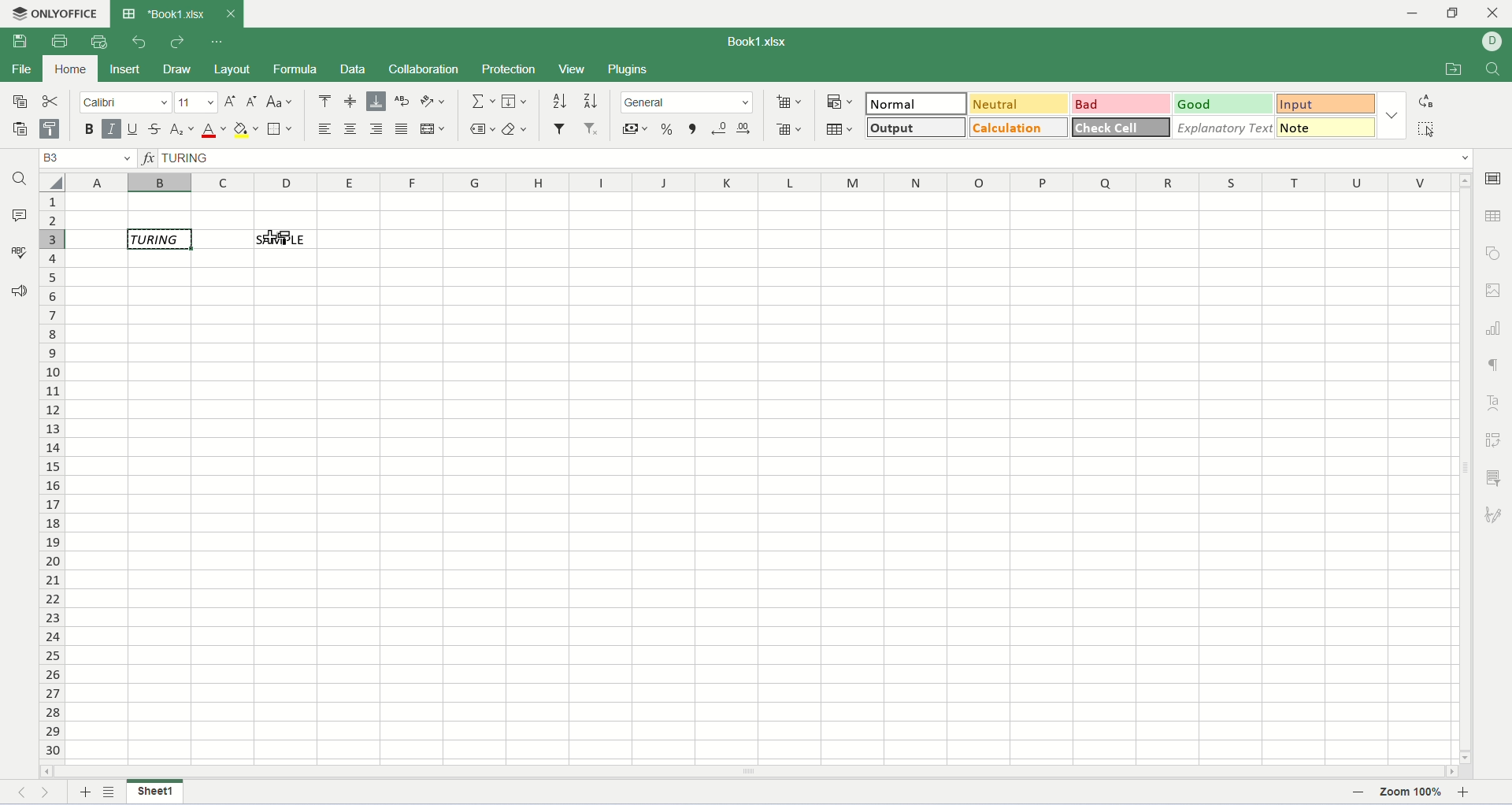 The height and width of the screenshot is (805, 1512). Describe the element at coordinates (52, 13) in the screenshot. I see `onlyoffice` at that location.